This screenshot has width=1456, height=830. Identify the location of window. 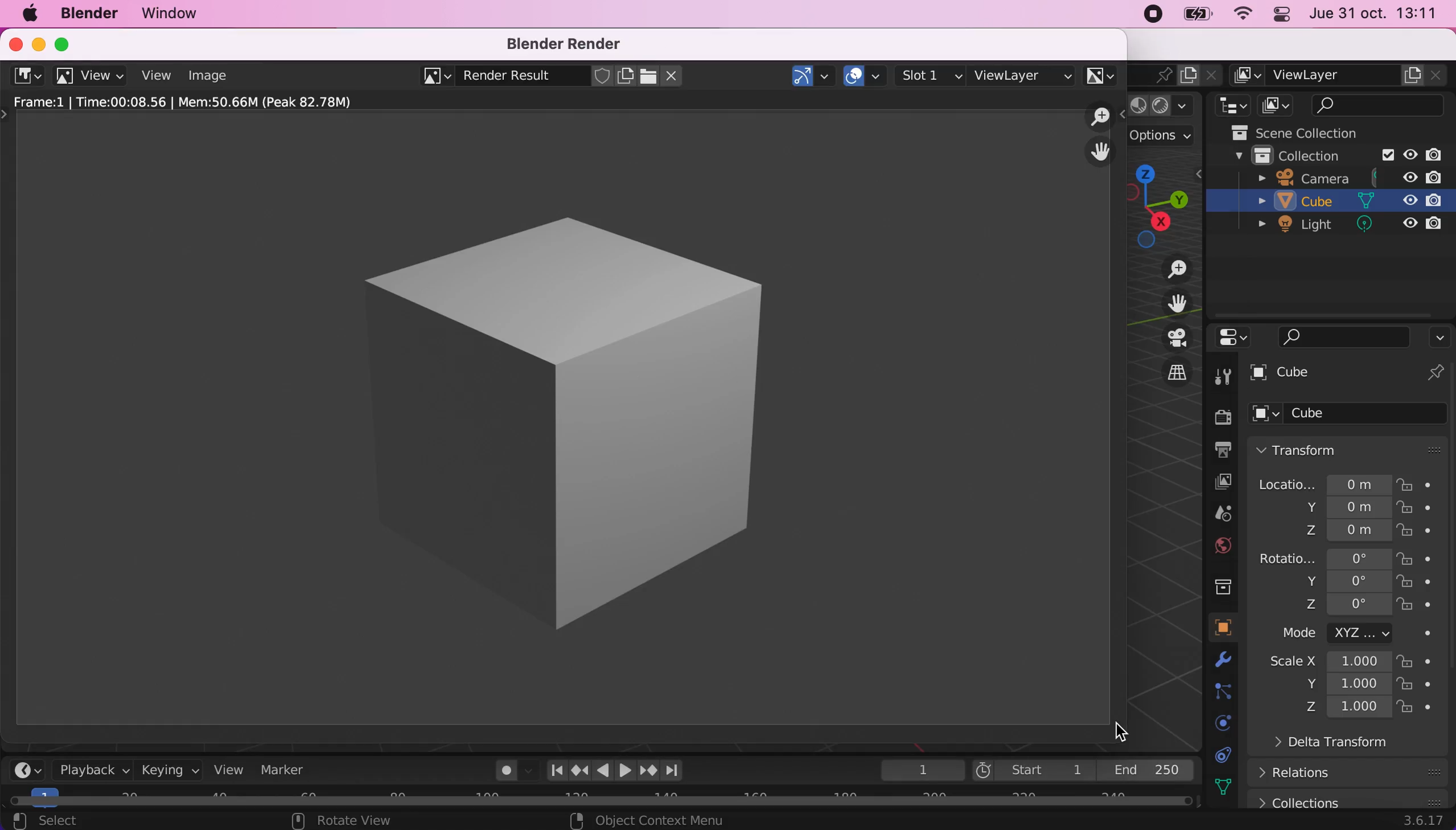
(184, 14).